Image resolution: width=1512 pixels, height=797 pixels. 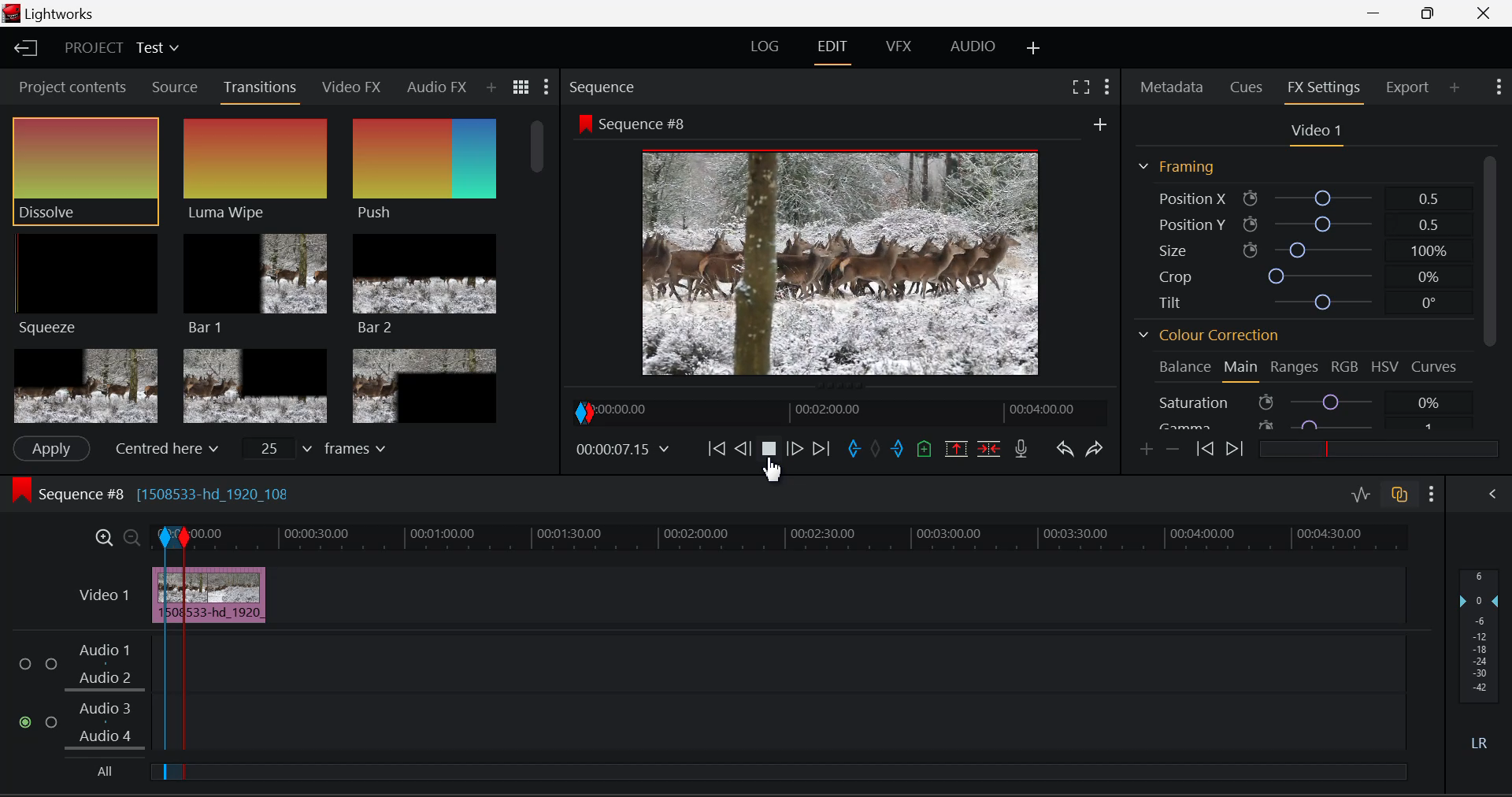 What do you see at coordinates (424, 172) in the screenshot?
I see `Push` at bounding box center [424, 172].